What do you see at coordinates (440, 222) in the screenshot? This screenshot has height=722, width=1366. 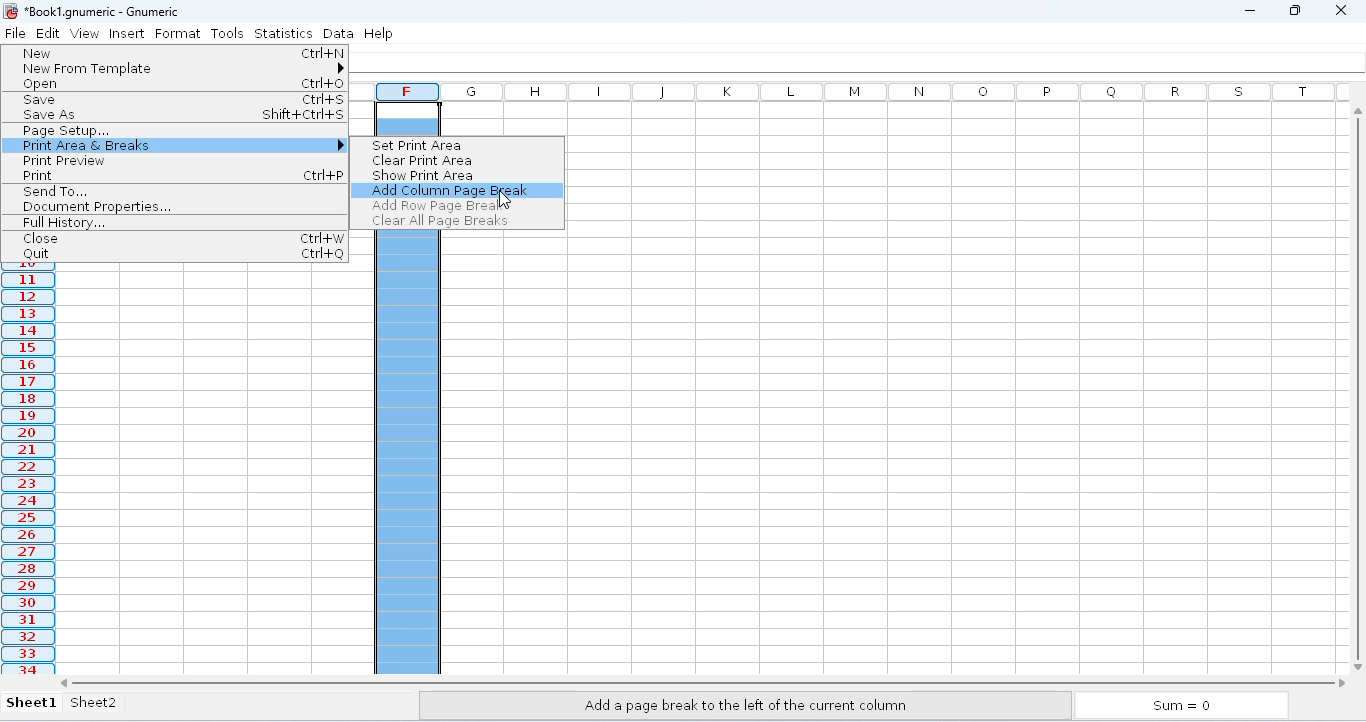 I see `clear all page breaks` at bounding box center [440, 222].